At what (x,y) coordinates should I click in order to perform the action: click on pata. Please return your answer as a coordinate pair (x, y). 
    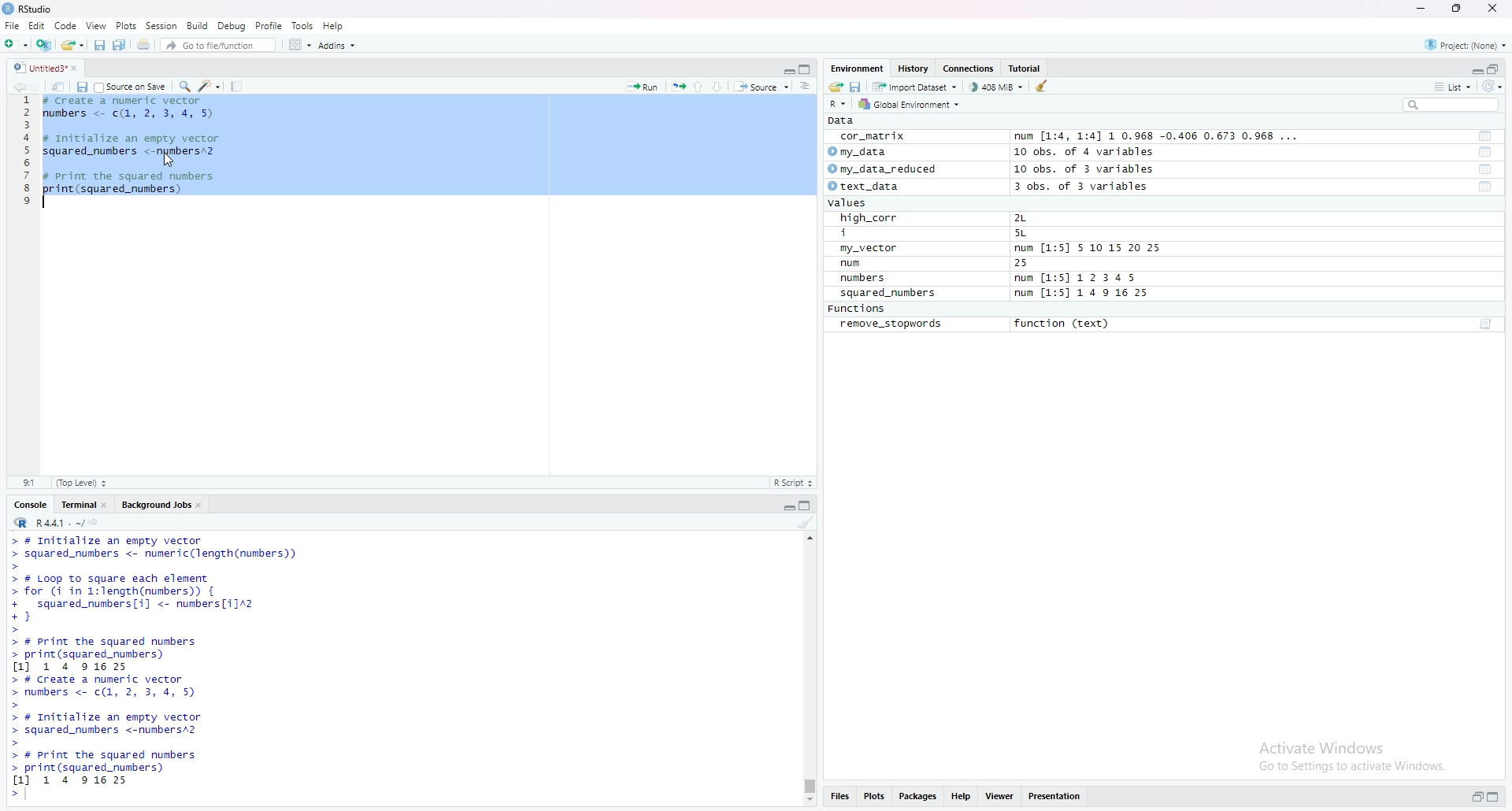
    Looking at the image, I should click on (845, 120).